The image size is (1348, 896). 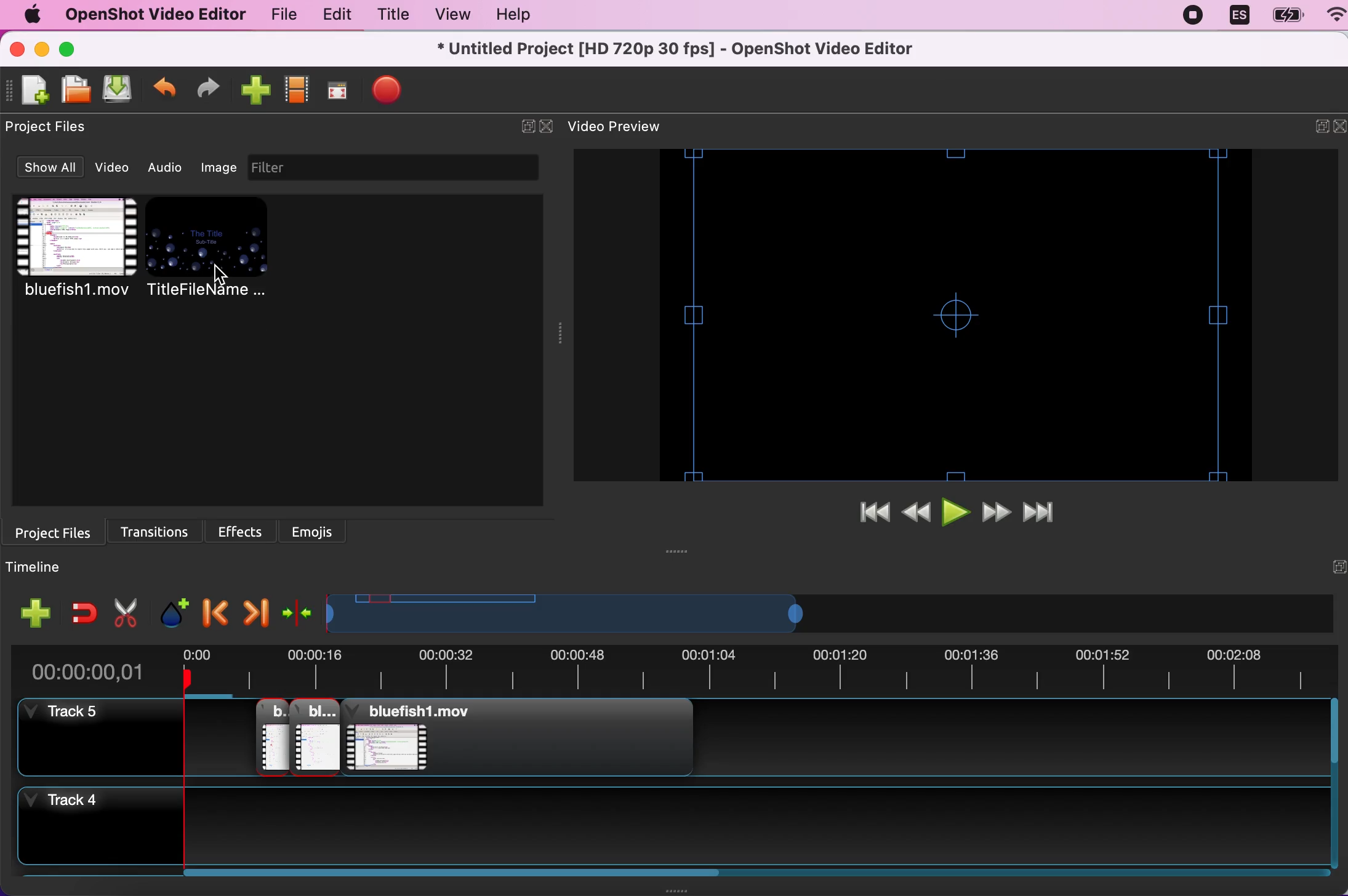 What do you see at coordinates (656, 614) in the screenshot?
I see `video duration` at bounding box center [656, 614].